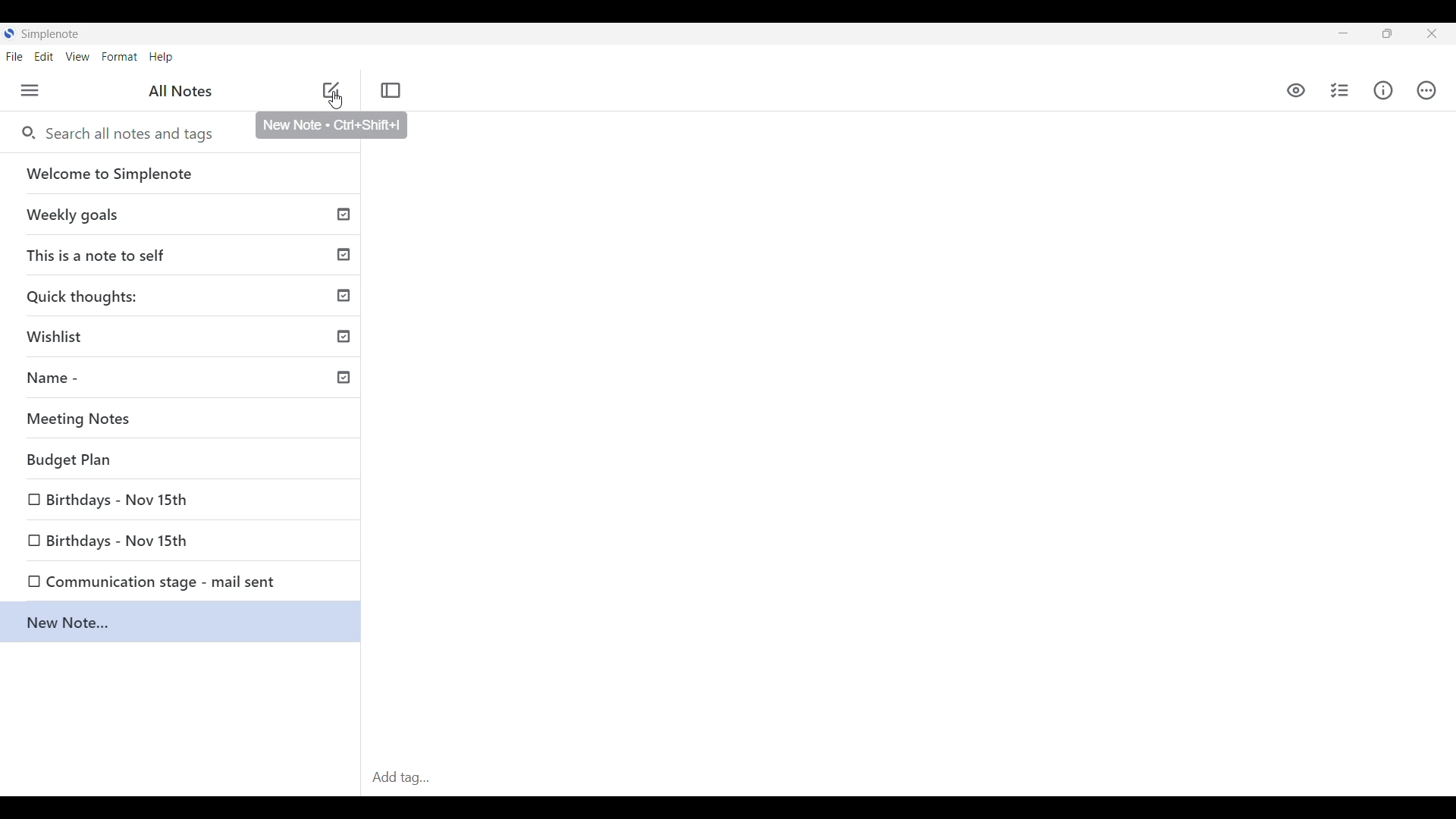 The image size is (1456, 819). I want to click on Quick thoughts, so click(183, 295).